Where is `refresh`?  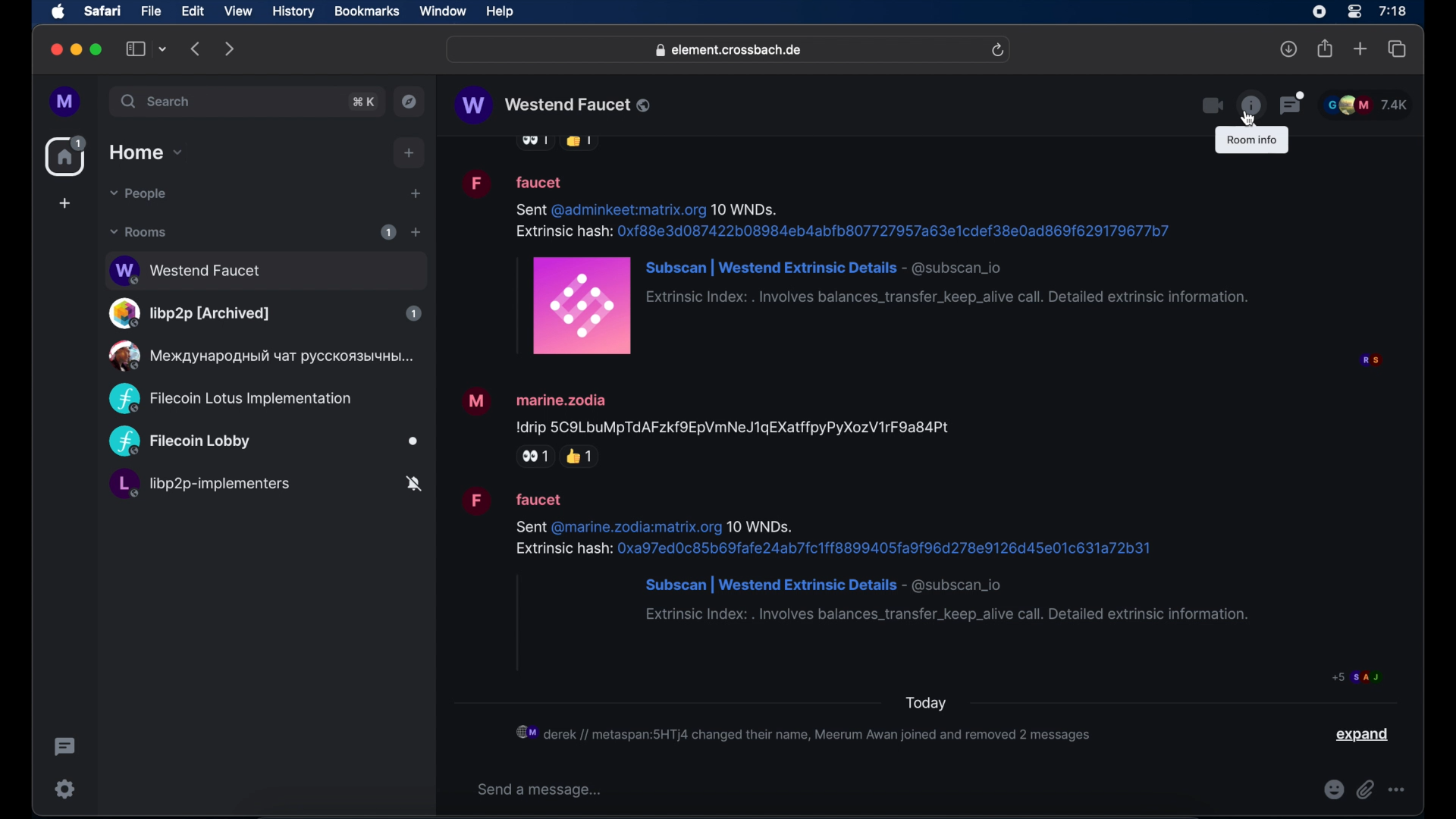 refresh is located at coordinates (997, 51).